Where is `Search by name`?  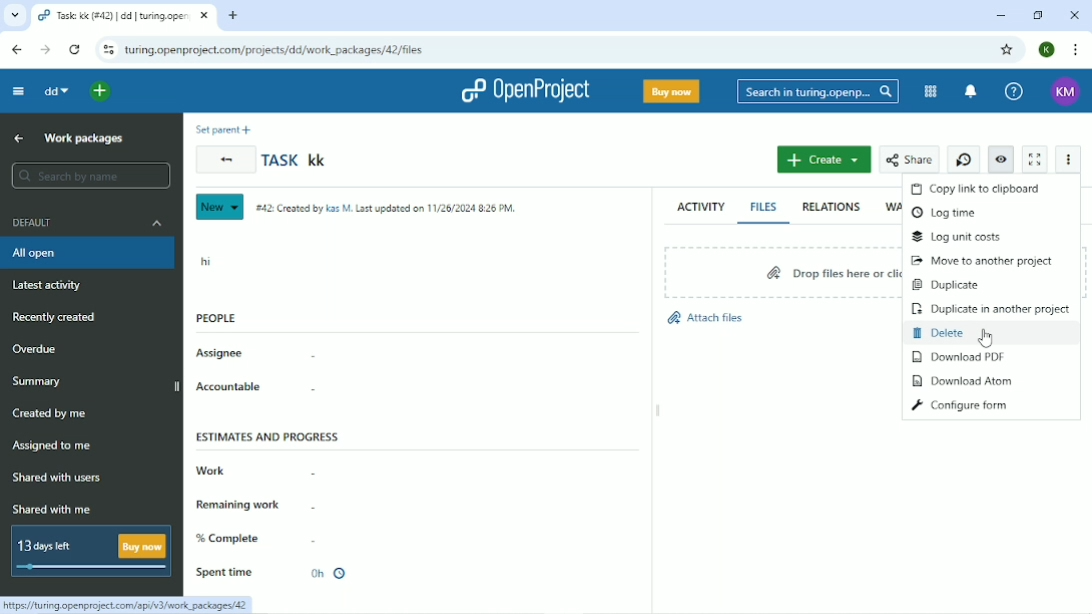
Search by name is located at coordinates (92, 176).